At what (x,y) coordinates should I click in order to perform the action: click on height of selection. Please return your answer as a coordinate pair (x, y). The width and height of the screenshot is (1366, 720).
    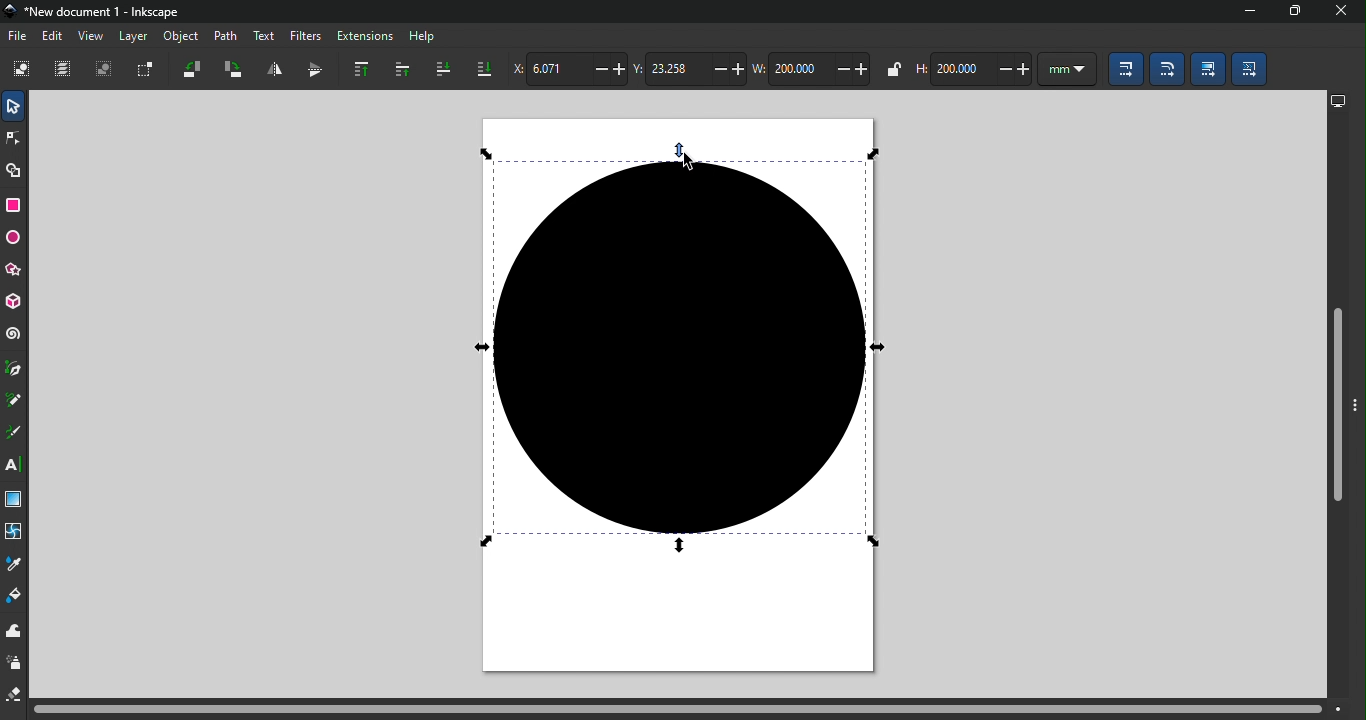
    Looking at the image, I should click on (972, 68).